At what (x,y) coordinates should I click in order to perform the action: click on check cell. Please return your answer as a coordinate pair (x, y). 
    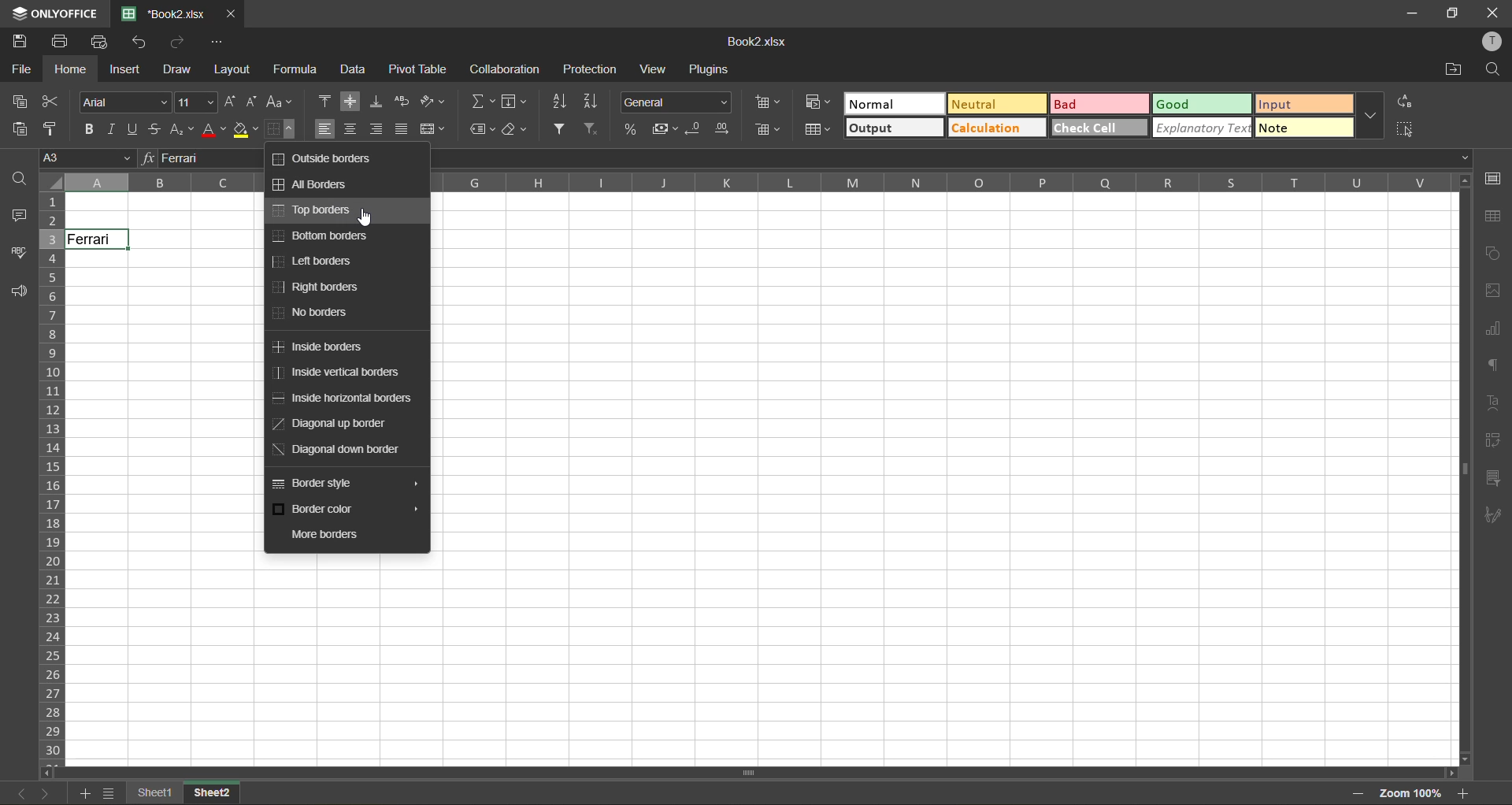
    Looking at the image, I should click on (1100, 128).